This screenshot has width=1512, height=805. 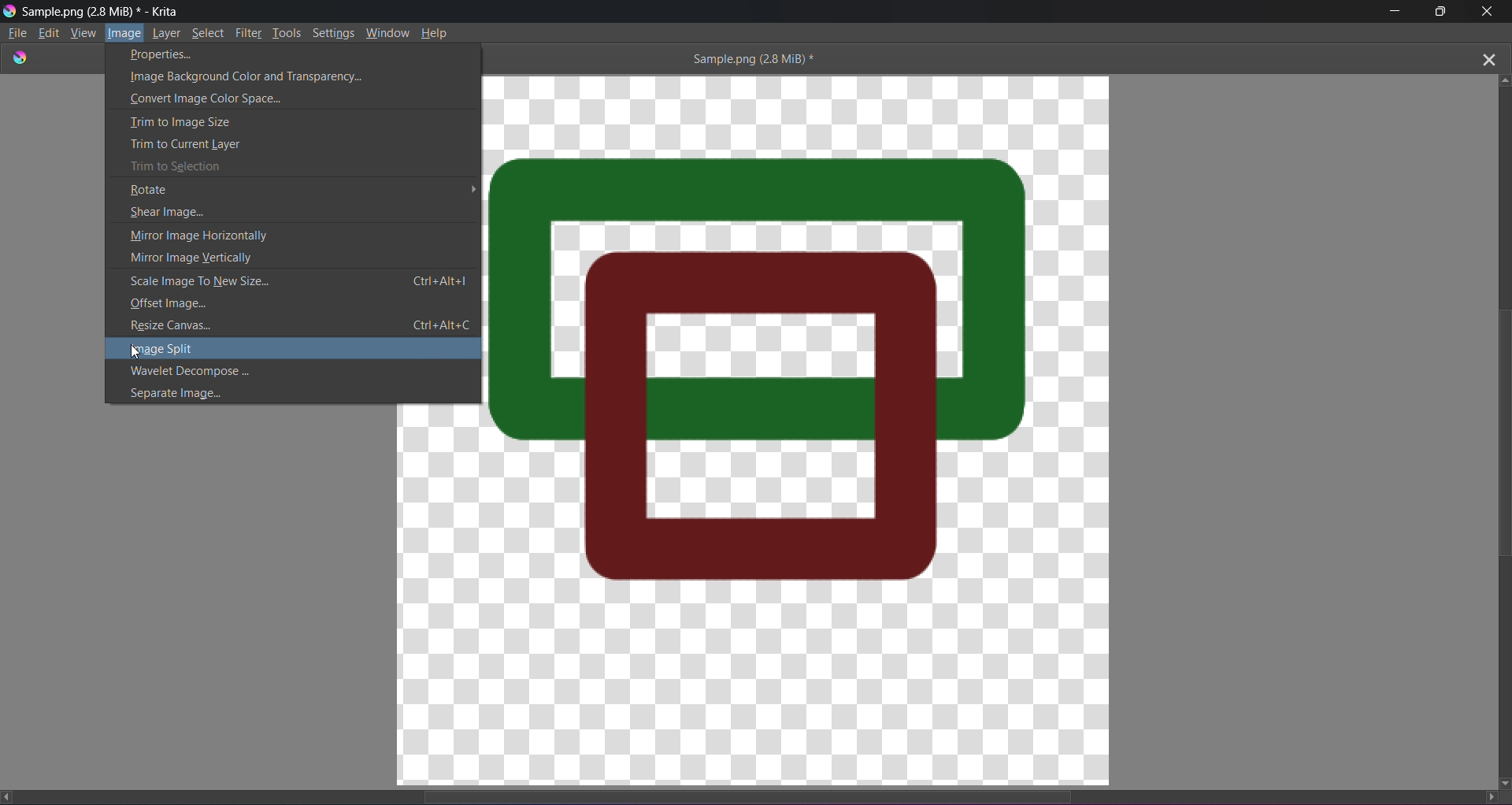 I want to click on Properties, so click(x=287, y=55).